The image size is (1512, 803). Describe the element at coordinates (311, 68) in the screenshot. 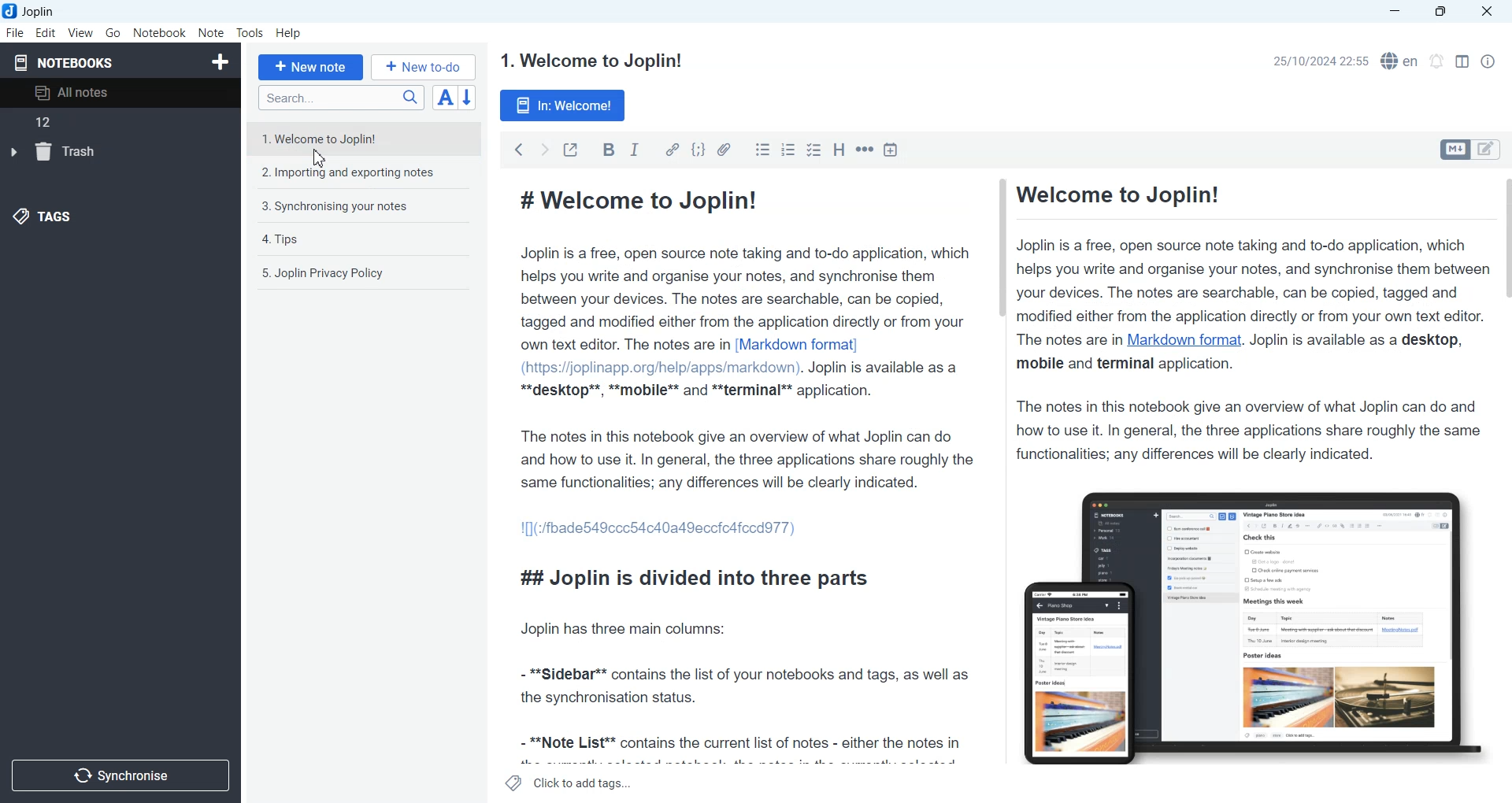

I see `+ New note` at that location.